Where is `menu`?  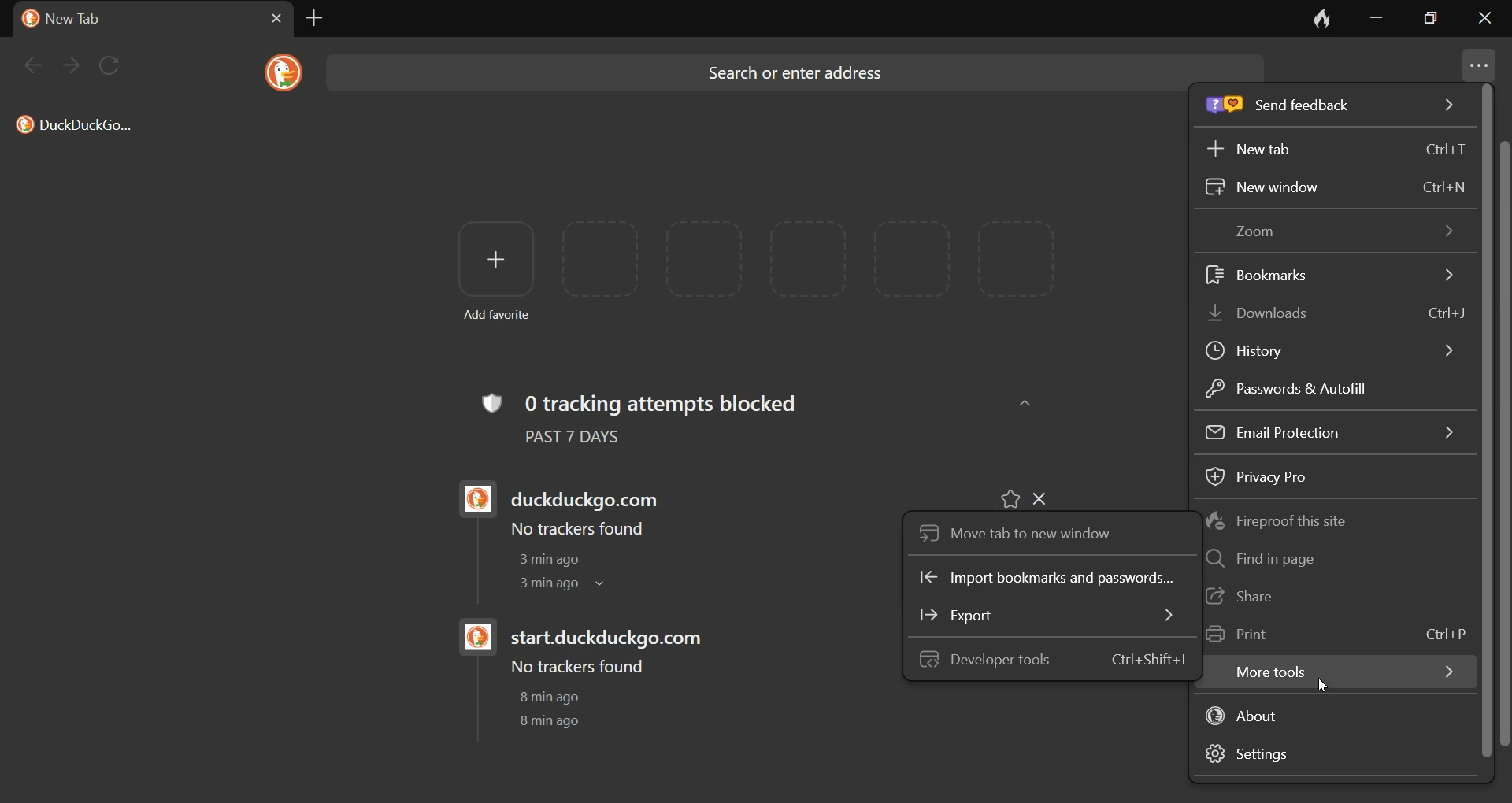
menu is located at coordinates (1478, 62).